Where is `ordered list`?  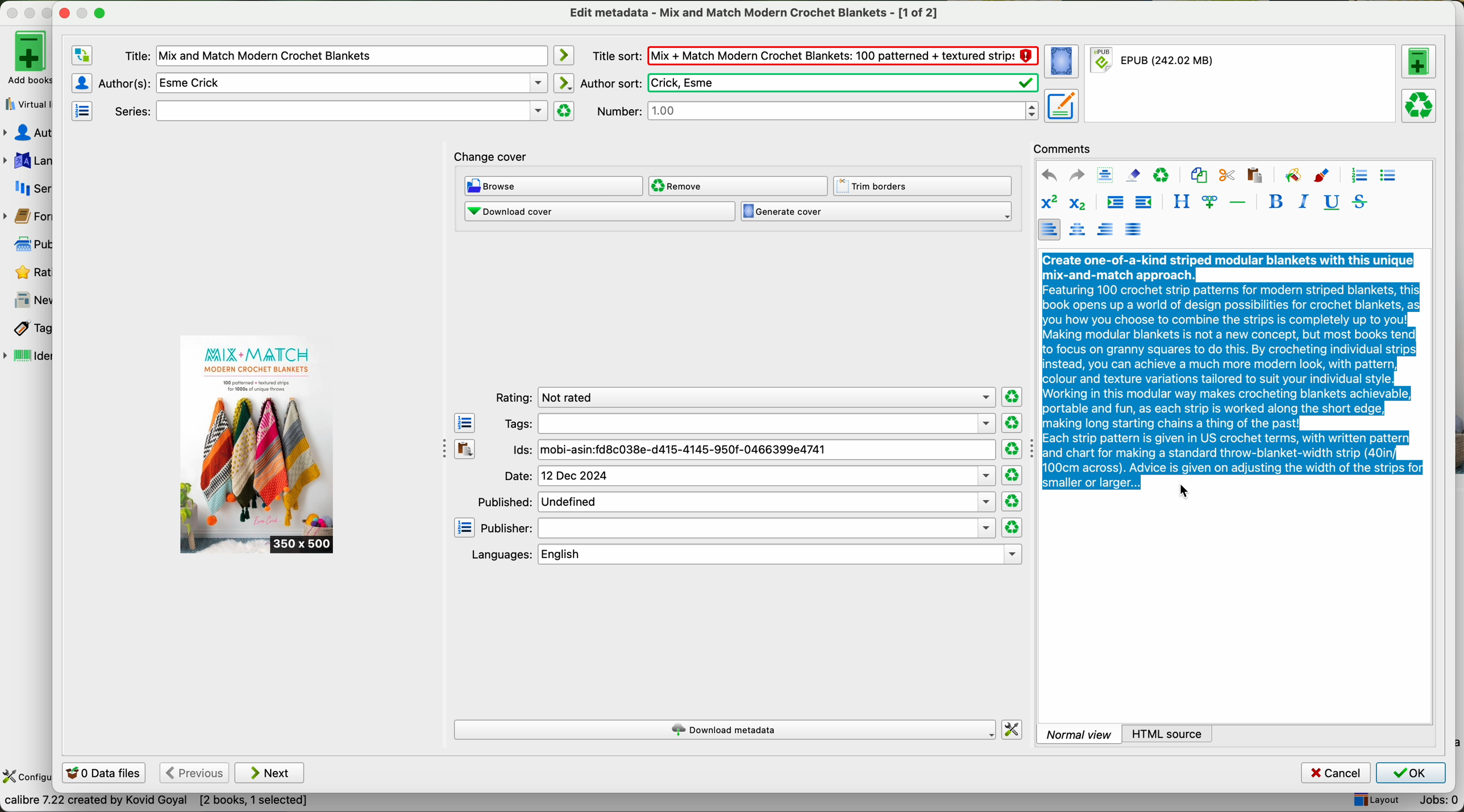 ordered list is located at coordinates (1358, 176).